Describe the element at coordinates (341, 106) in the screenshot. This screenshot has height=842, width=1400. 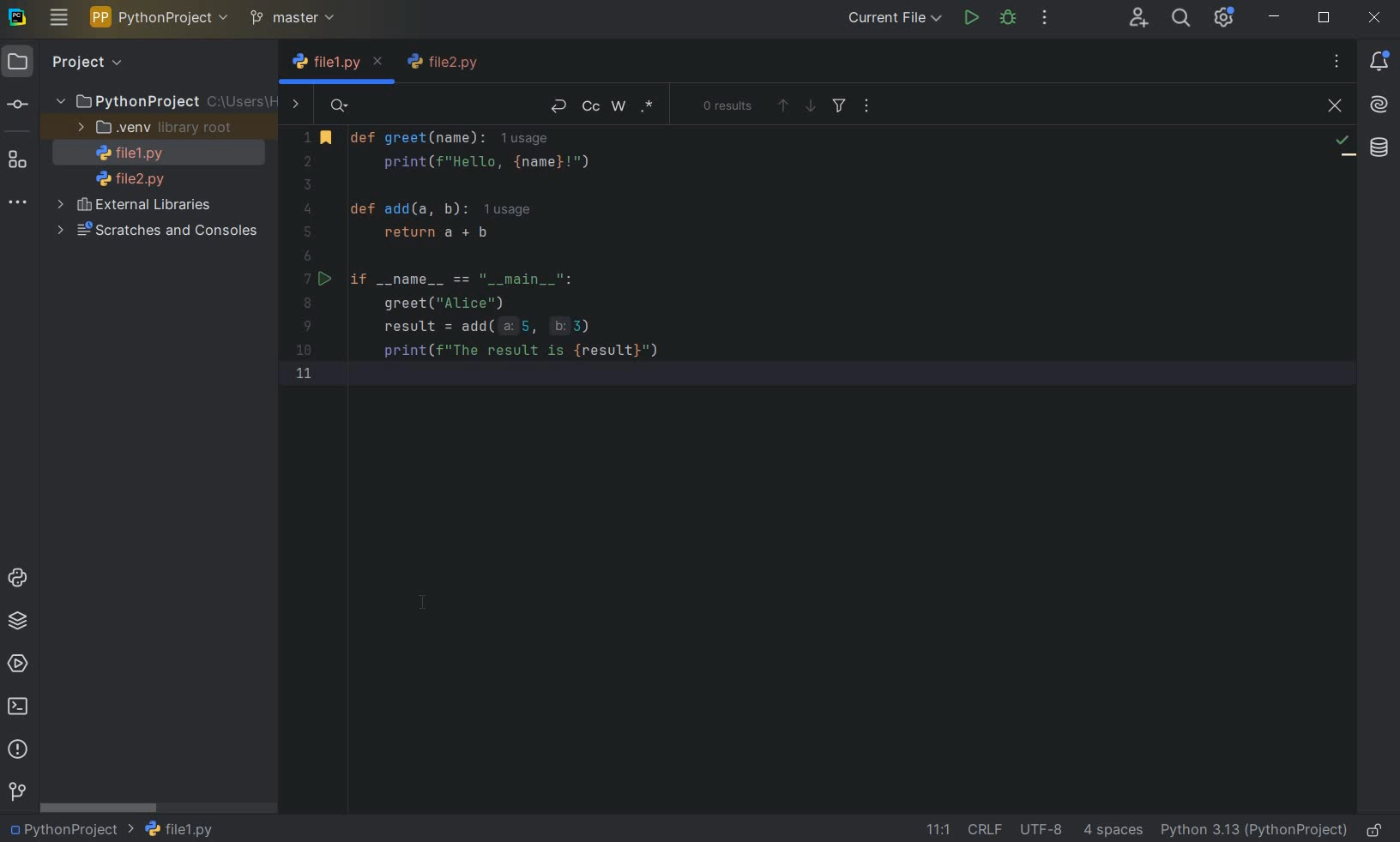
I see `SEARCH HISTORY` at that location.